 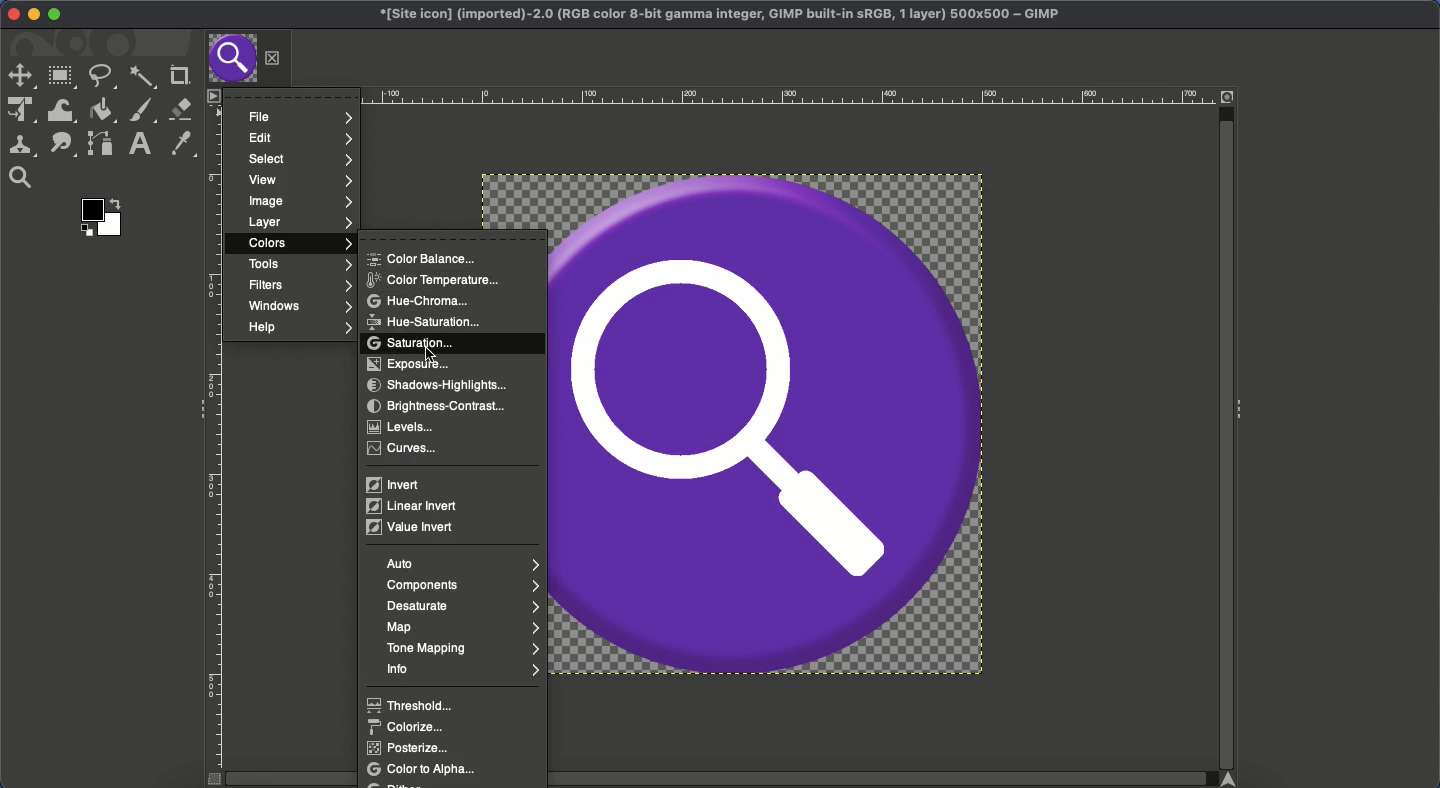 I want to click on Hue chroma, so click(x=425, y=301).